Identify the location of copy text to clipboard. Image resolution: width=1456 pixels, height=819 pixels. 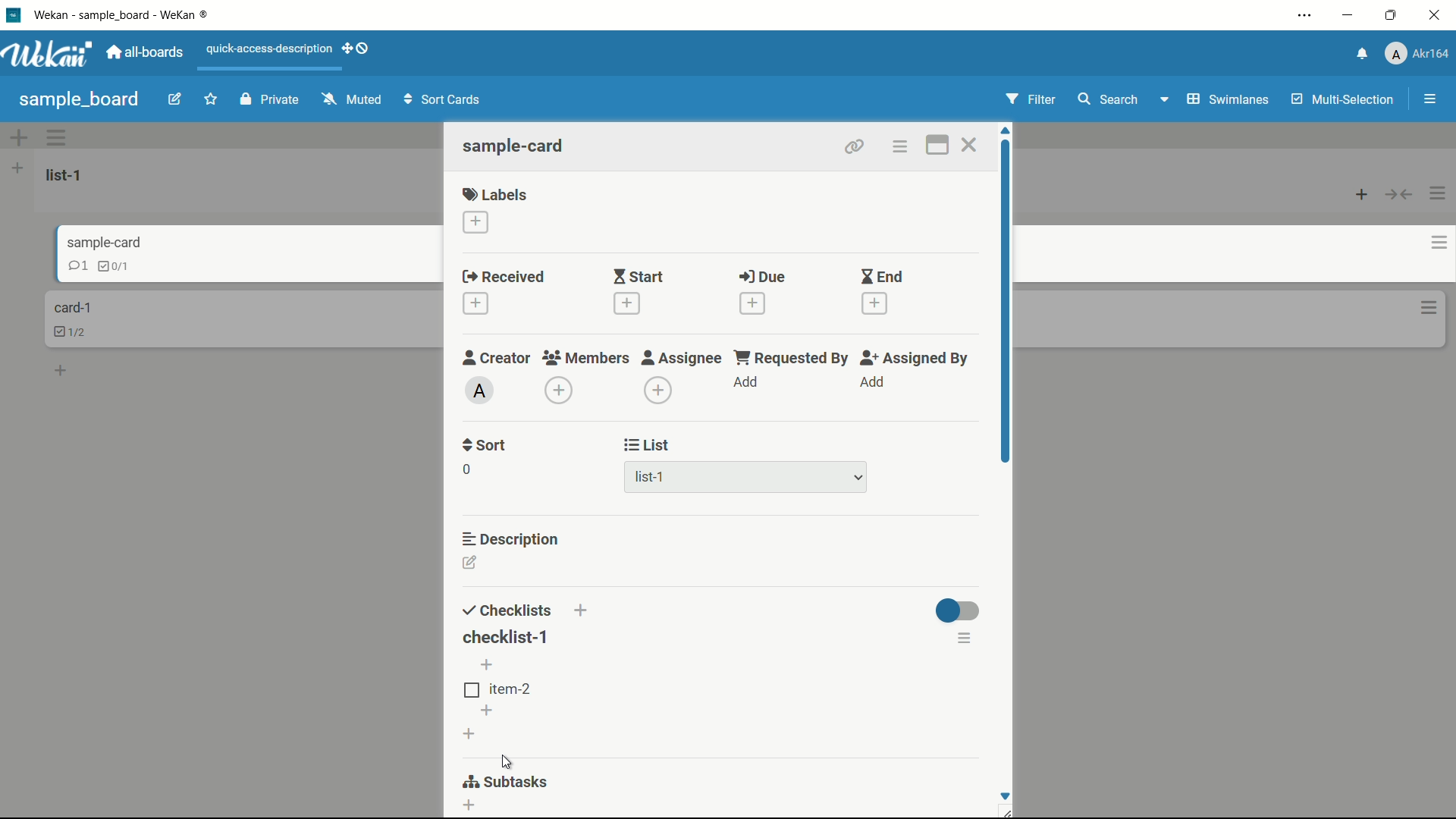
(968, 677).